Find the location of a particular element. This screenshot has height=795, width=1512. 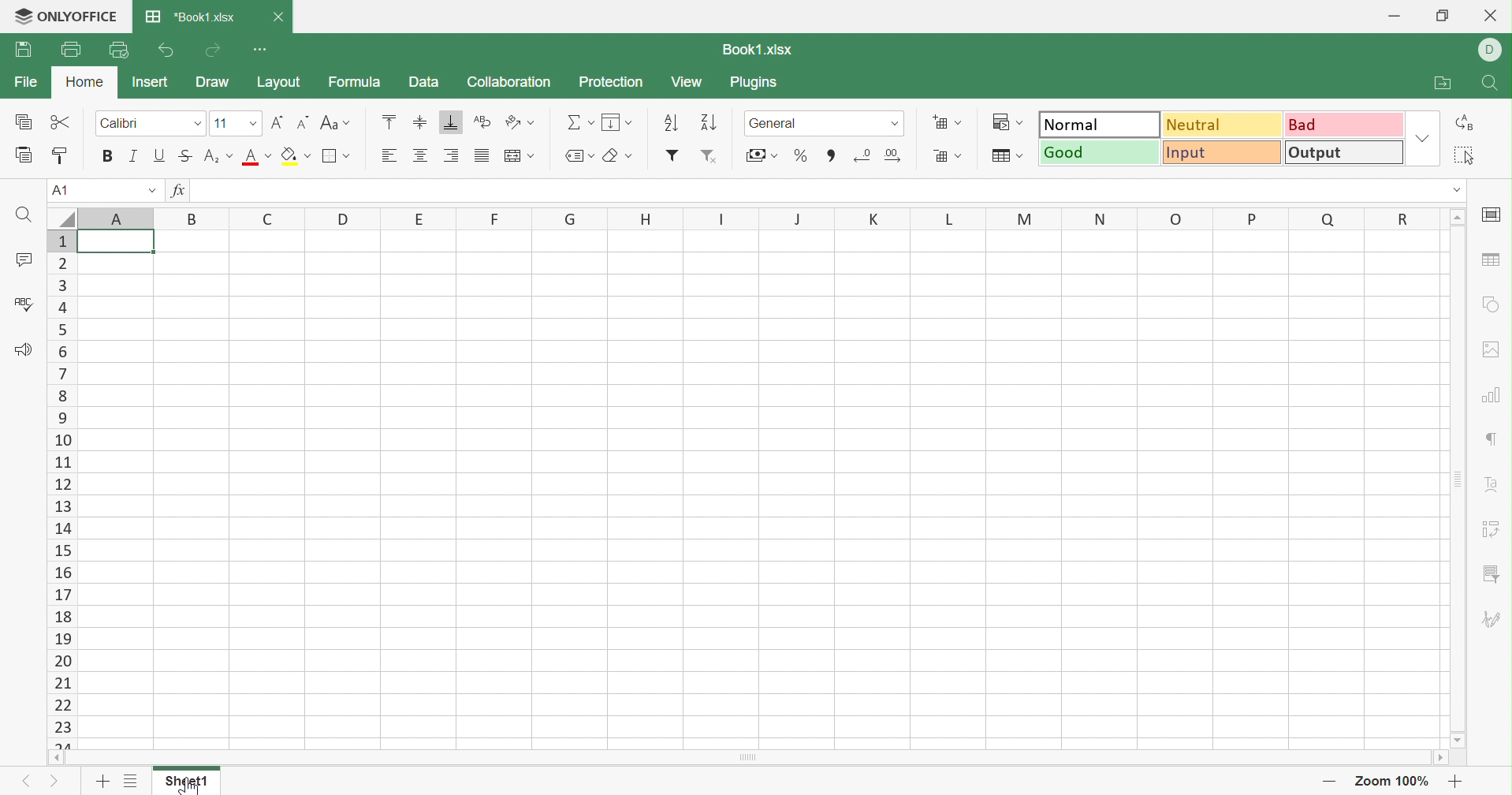

Font color is located at coordinates (256, 155).